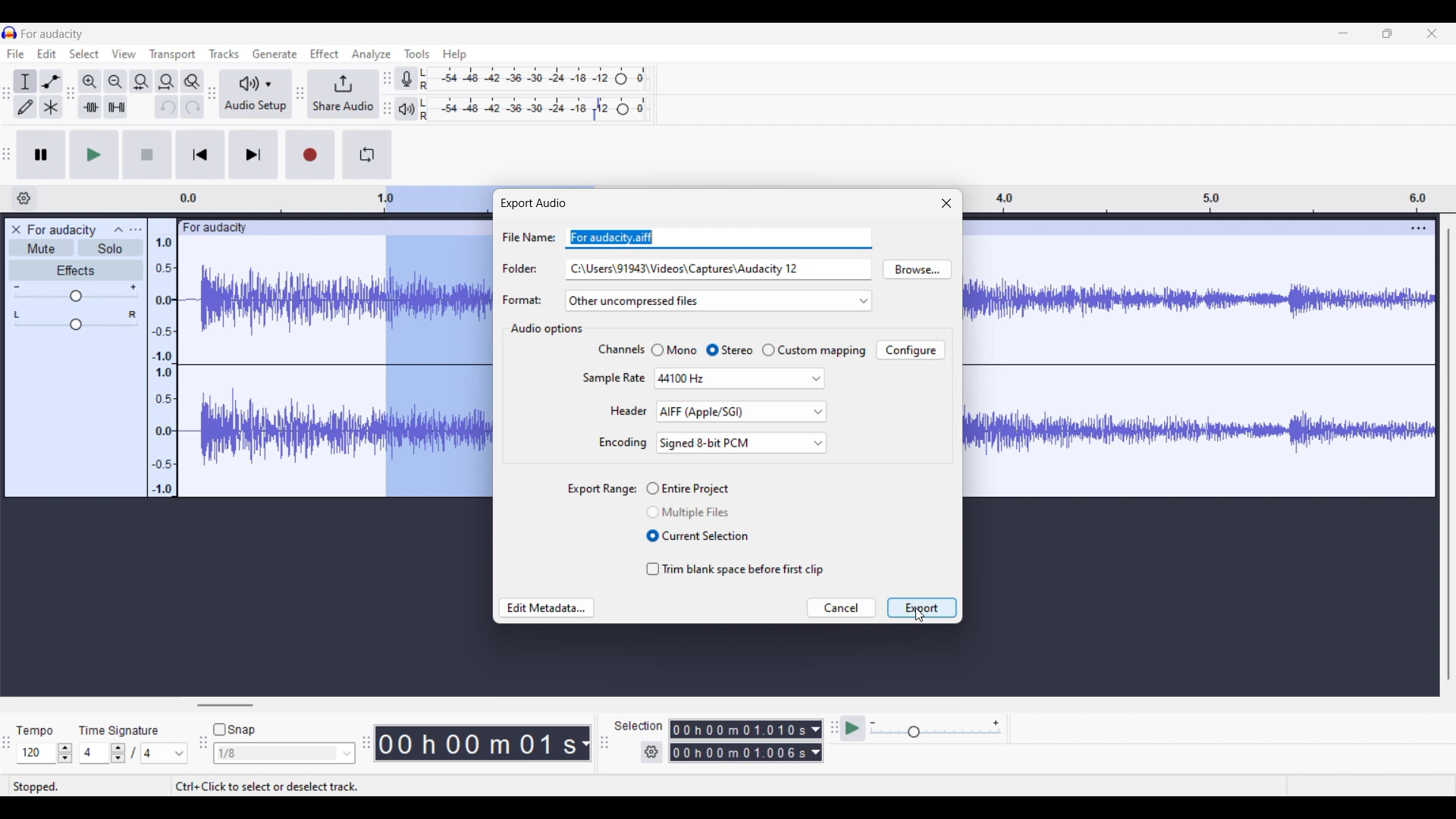 This screenshot has width=1456, height=819. I want to click on View menu, so click(124, 53).